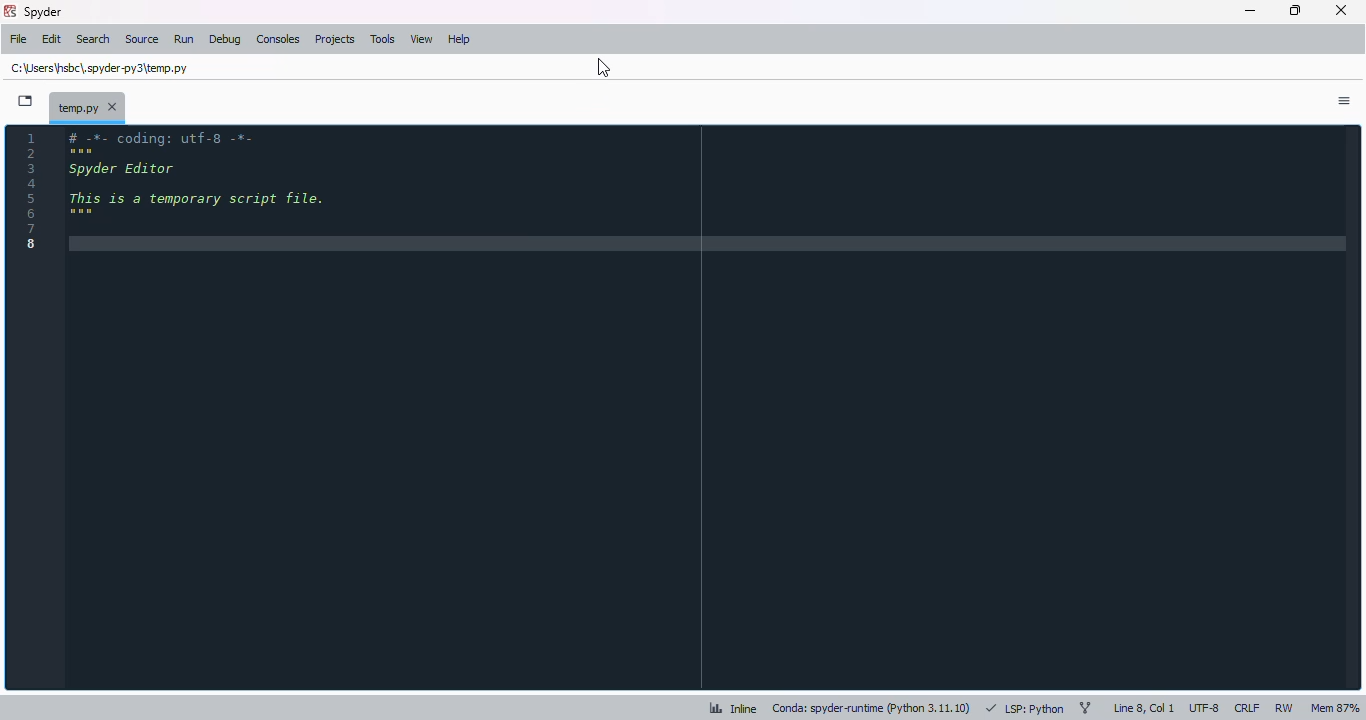 Image resolution: width=1366 pixels, height=720 pixels. I want to click on analytics, so click(717, 709).